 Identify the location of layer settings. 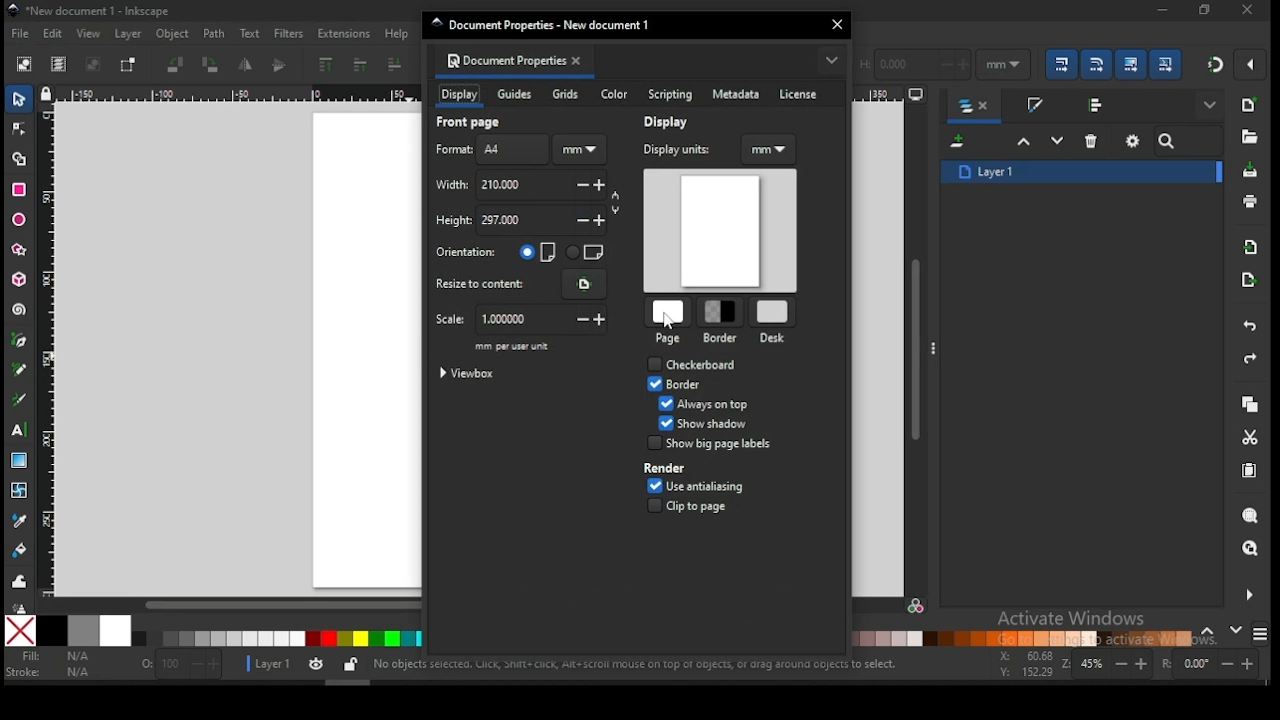
(304, 665).